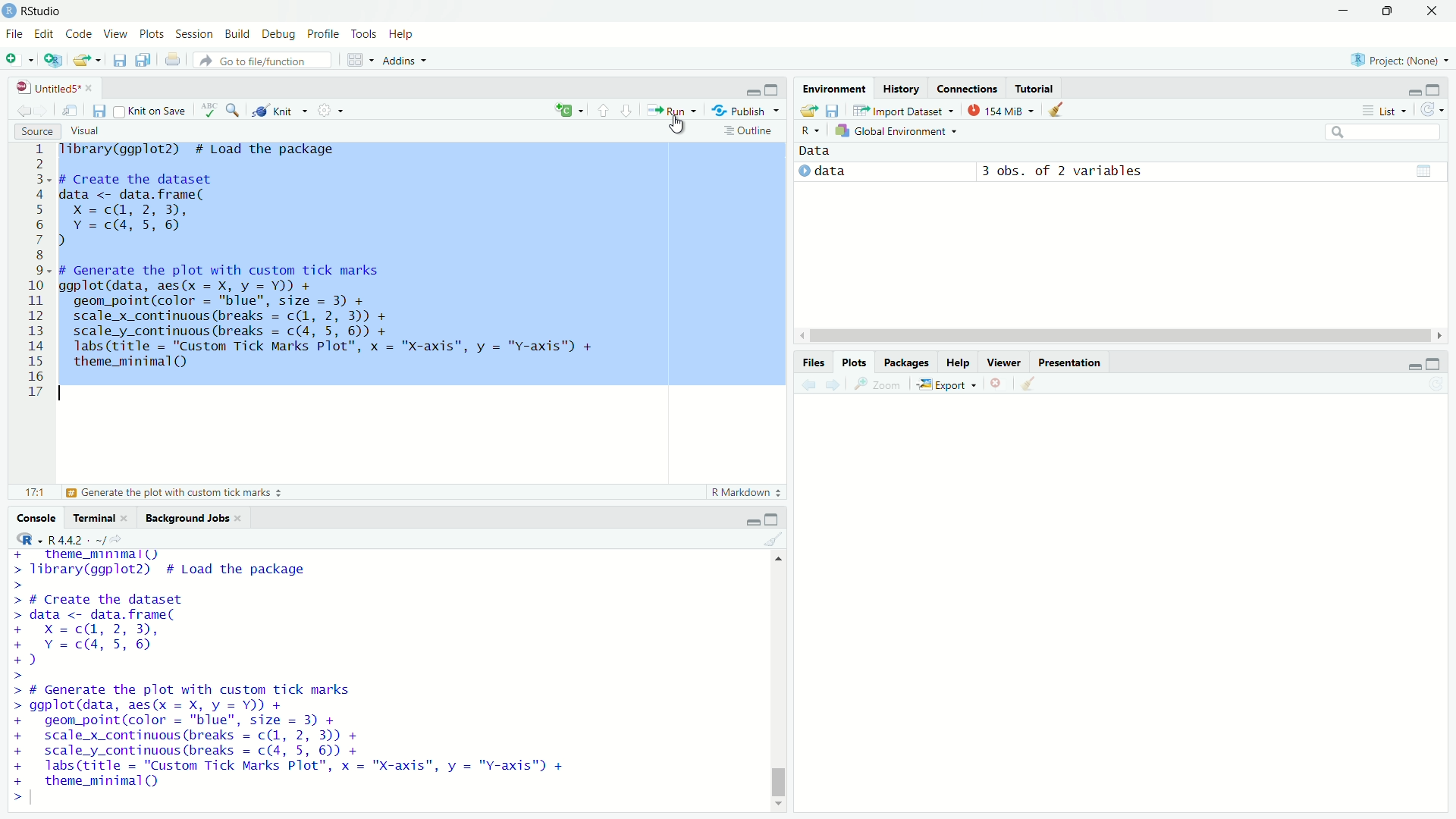 Image resolution: width=1456 pixels, height=819 pixels. What do you see at coordinates (631, 112) in the screenshot?
I see `go to next section/chunk` at bounding box center [631, 112].